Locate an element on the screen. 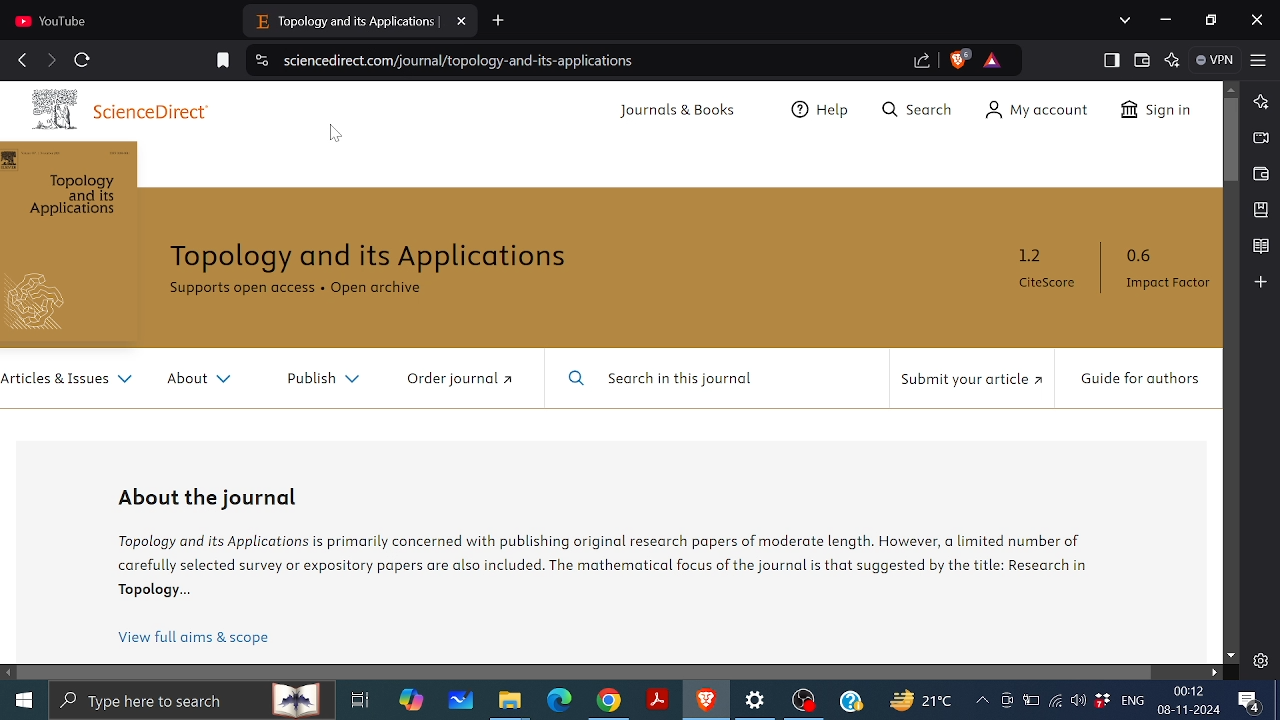 Image resolution: width=1280 pixels, height=720 pixels. Notifications is located at coordinates (1250, 702).